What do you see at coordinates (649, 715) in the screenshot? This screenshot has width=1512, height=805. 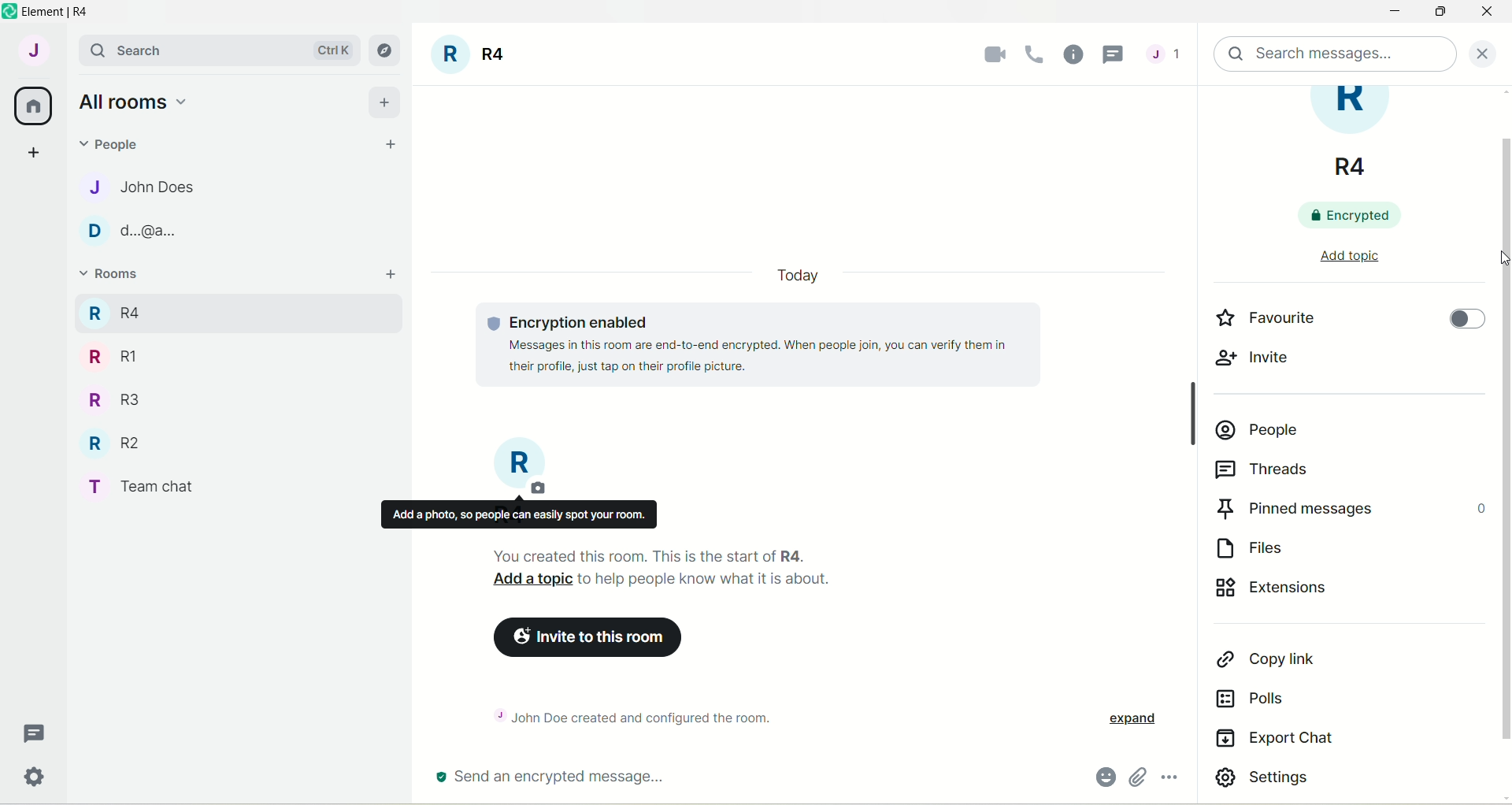 I see `~ John Doe created and configured the room.` at bounding box center [649, 715].